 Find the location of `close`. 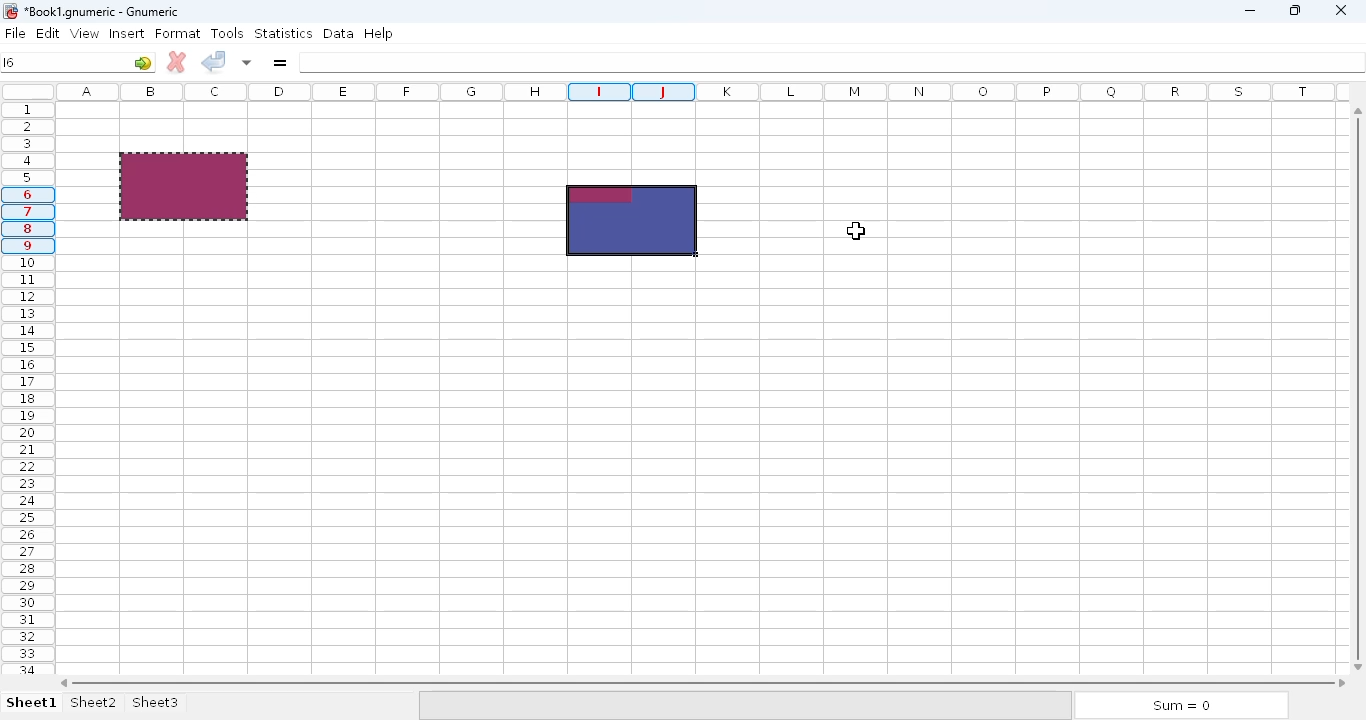

close is located at coordinates (1341, 12).